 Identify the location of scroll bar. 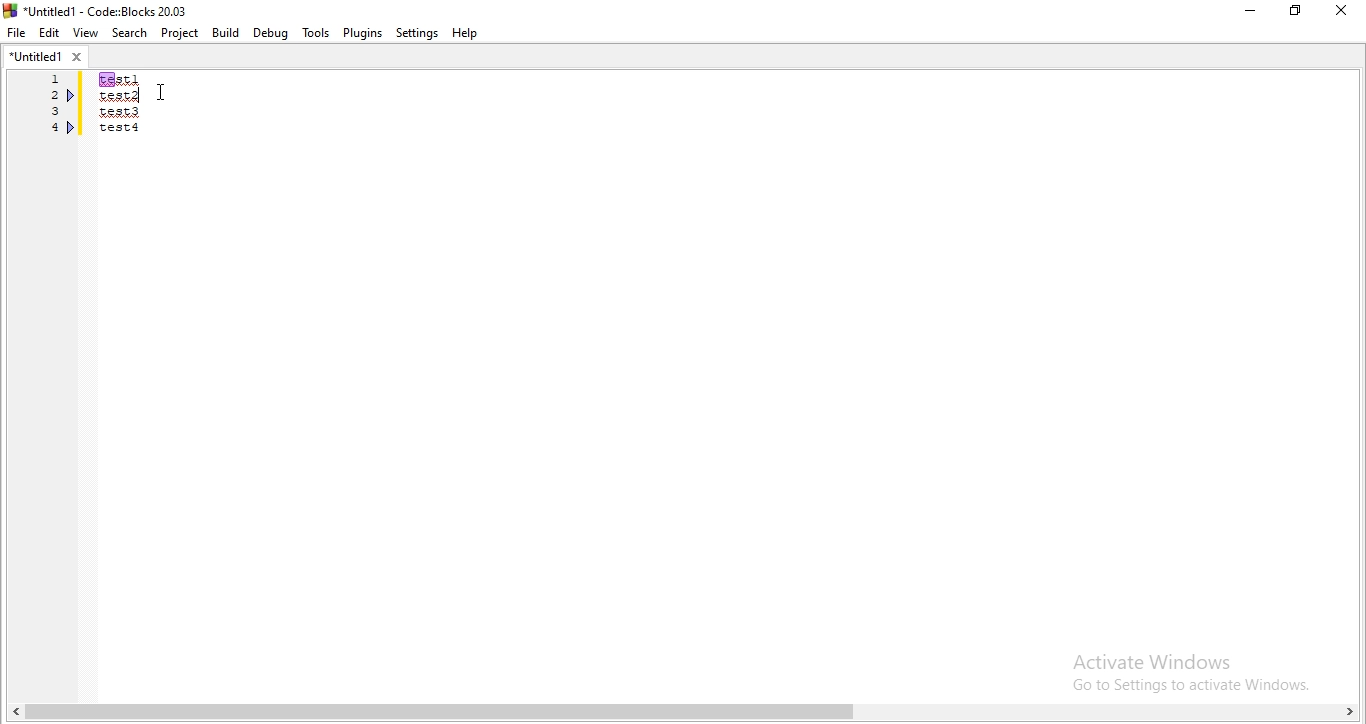
(683, 711).